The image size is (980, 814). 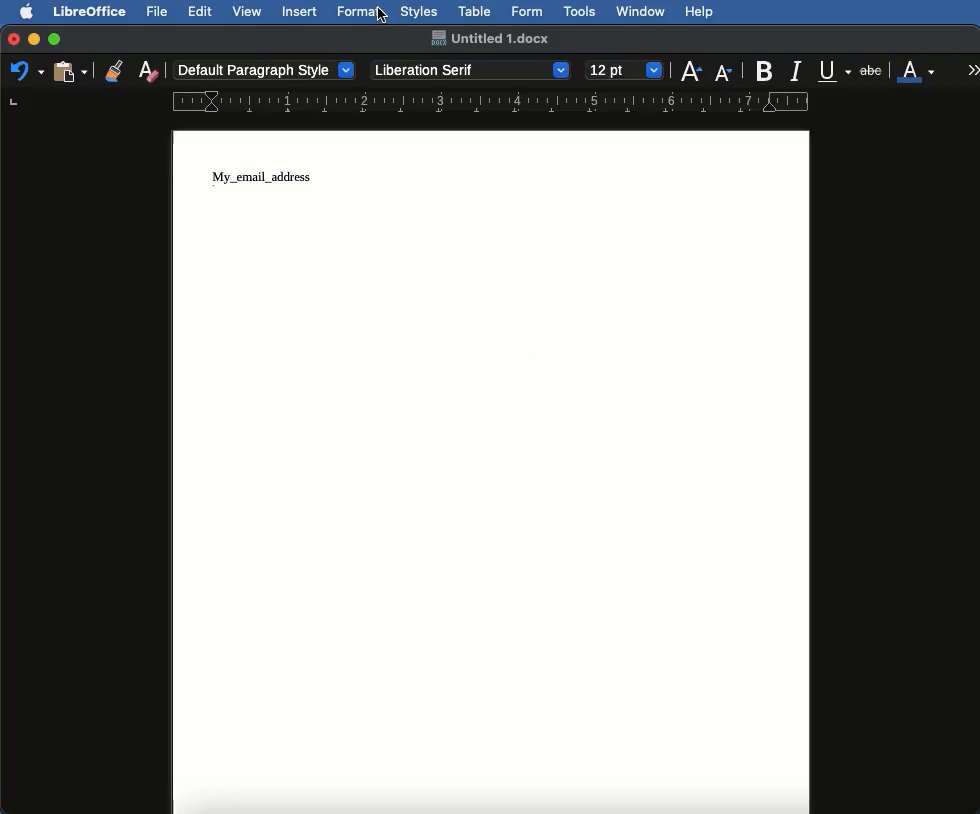 I want to click on Insert, so click(x=300, y=11).